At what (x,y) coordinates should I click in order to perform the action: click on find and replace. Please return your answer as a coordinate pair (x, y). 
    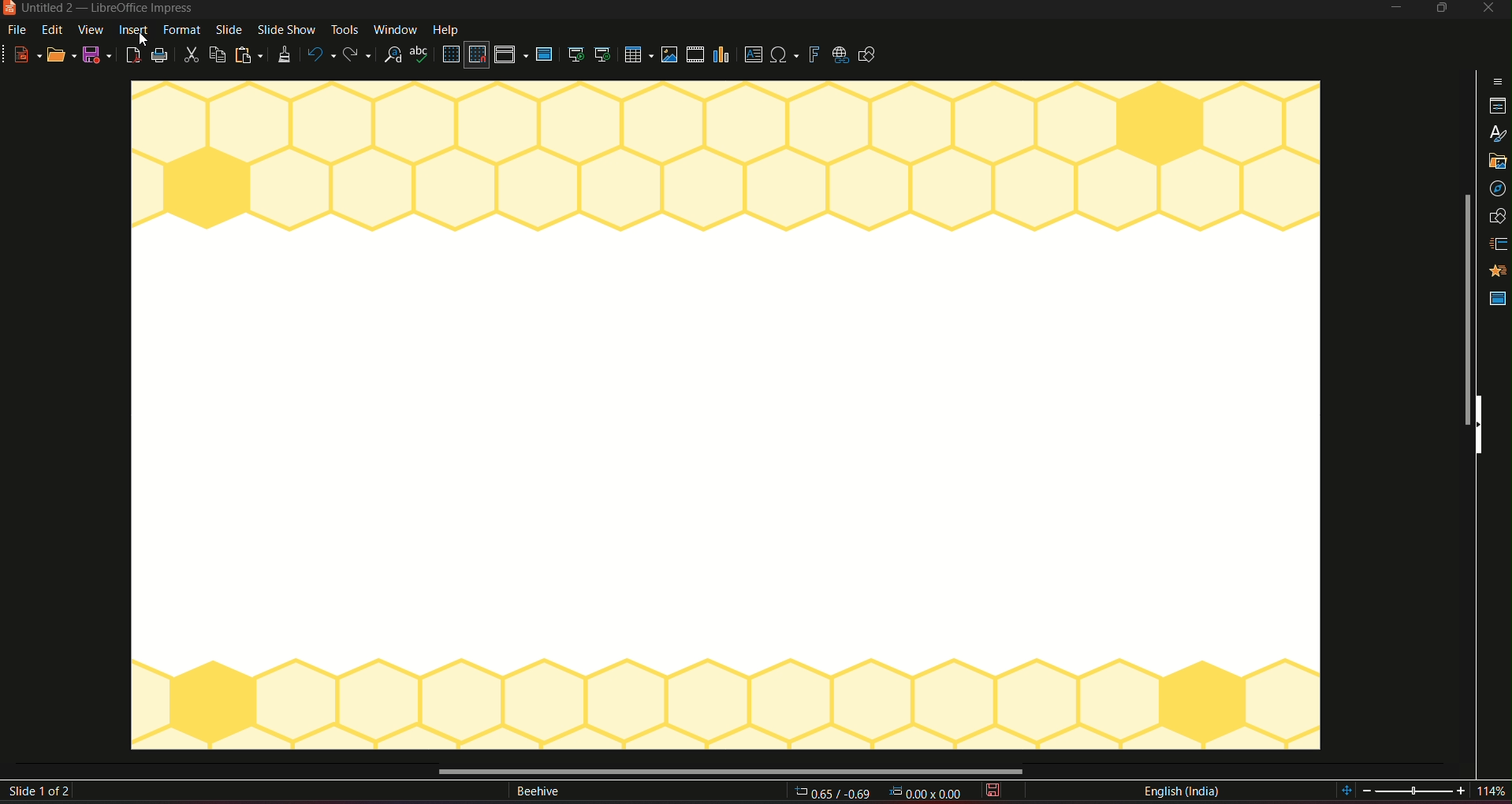
    Looking at the image, I should click on (394, 55).